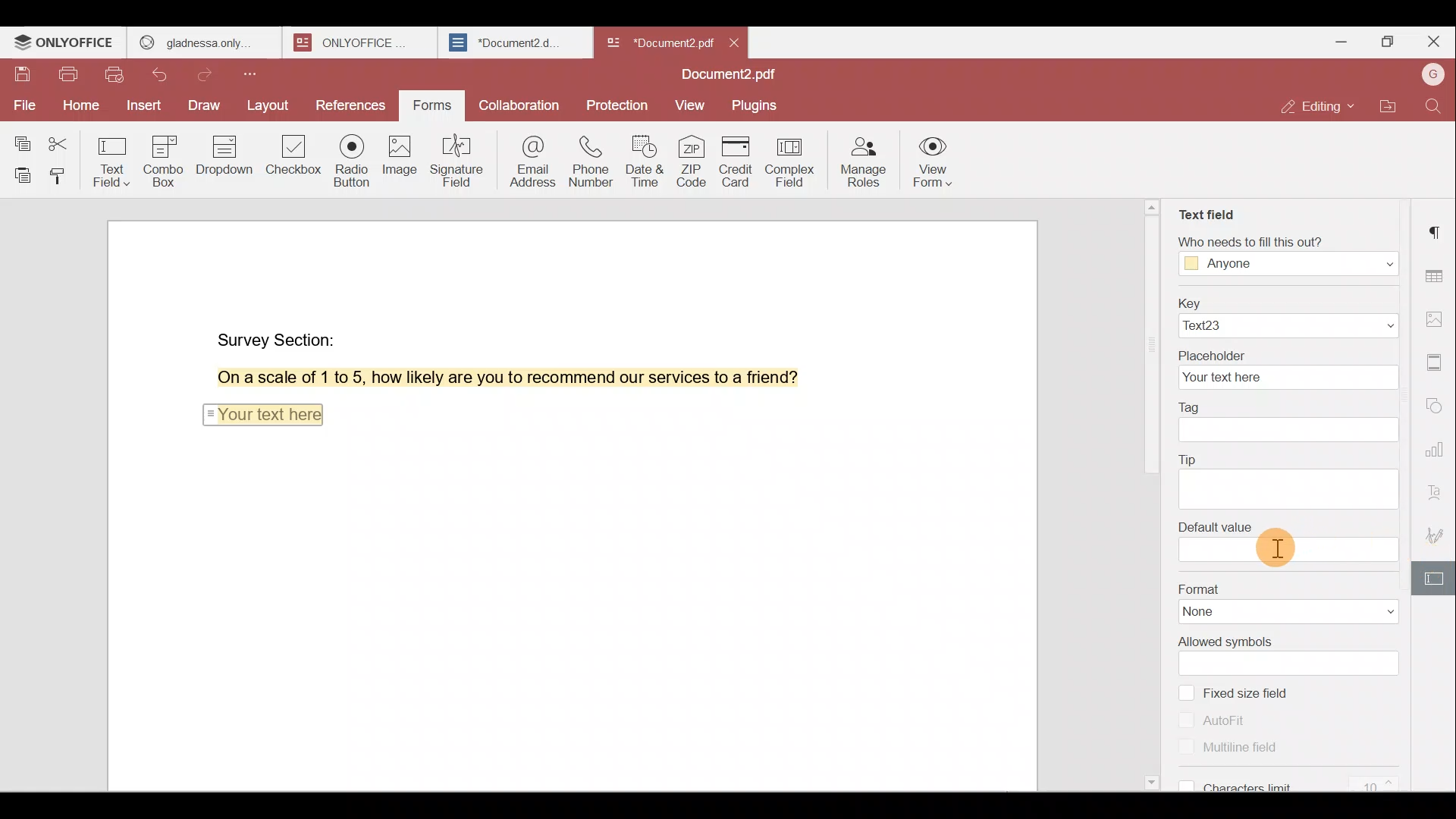 The height and width of the screenshot is (819, 1456). I want to click on Protection, so click(620, 101).